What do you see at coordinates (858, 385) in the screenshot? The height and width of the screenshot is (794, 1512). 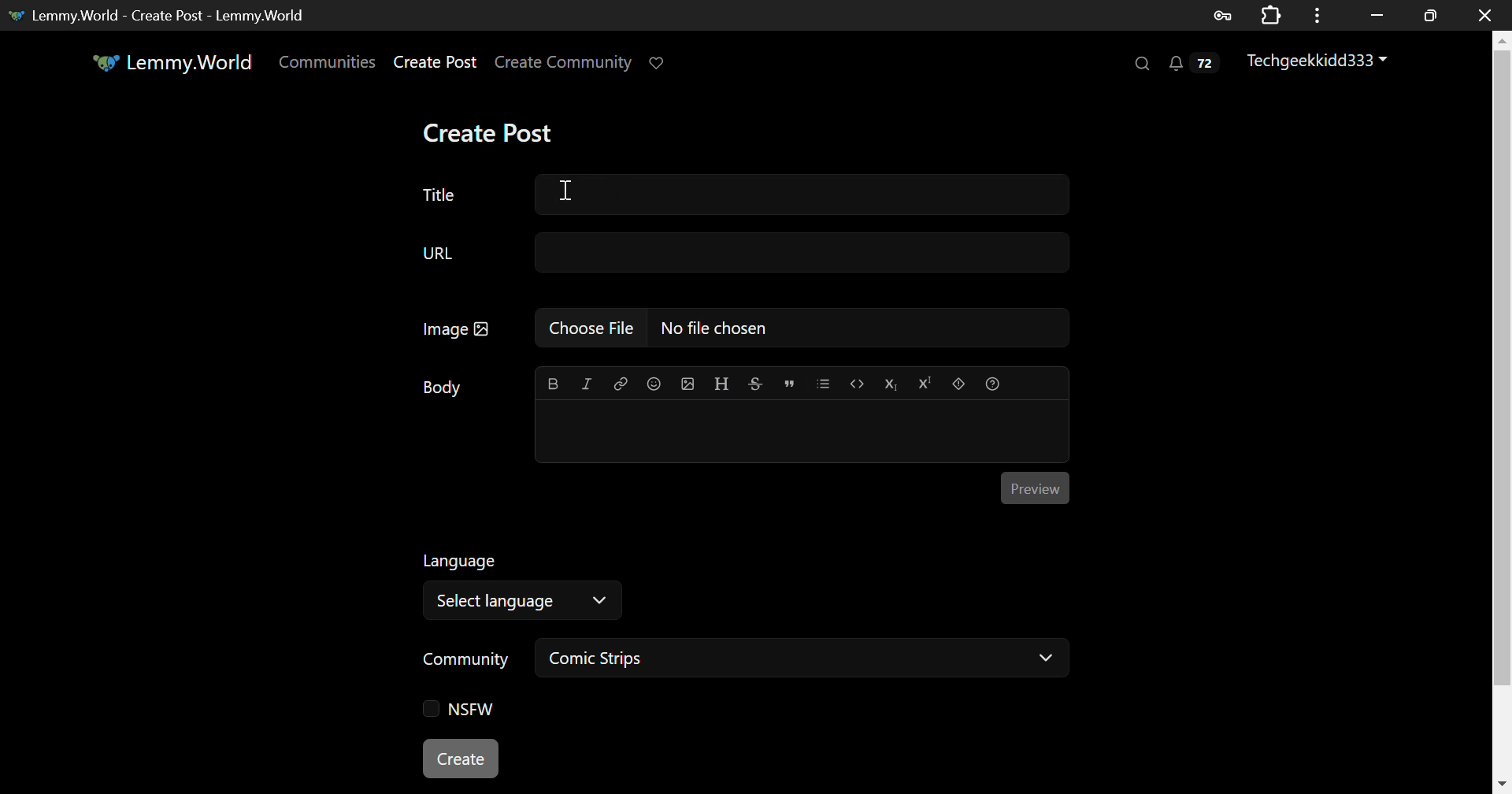 I see `Code` at bounding box center [858, 385].